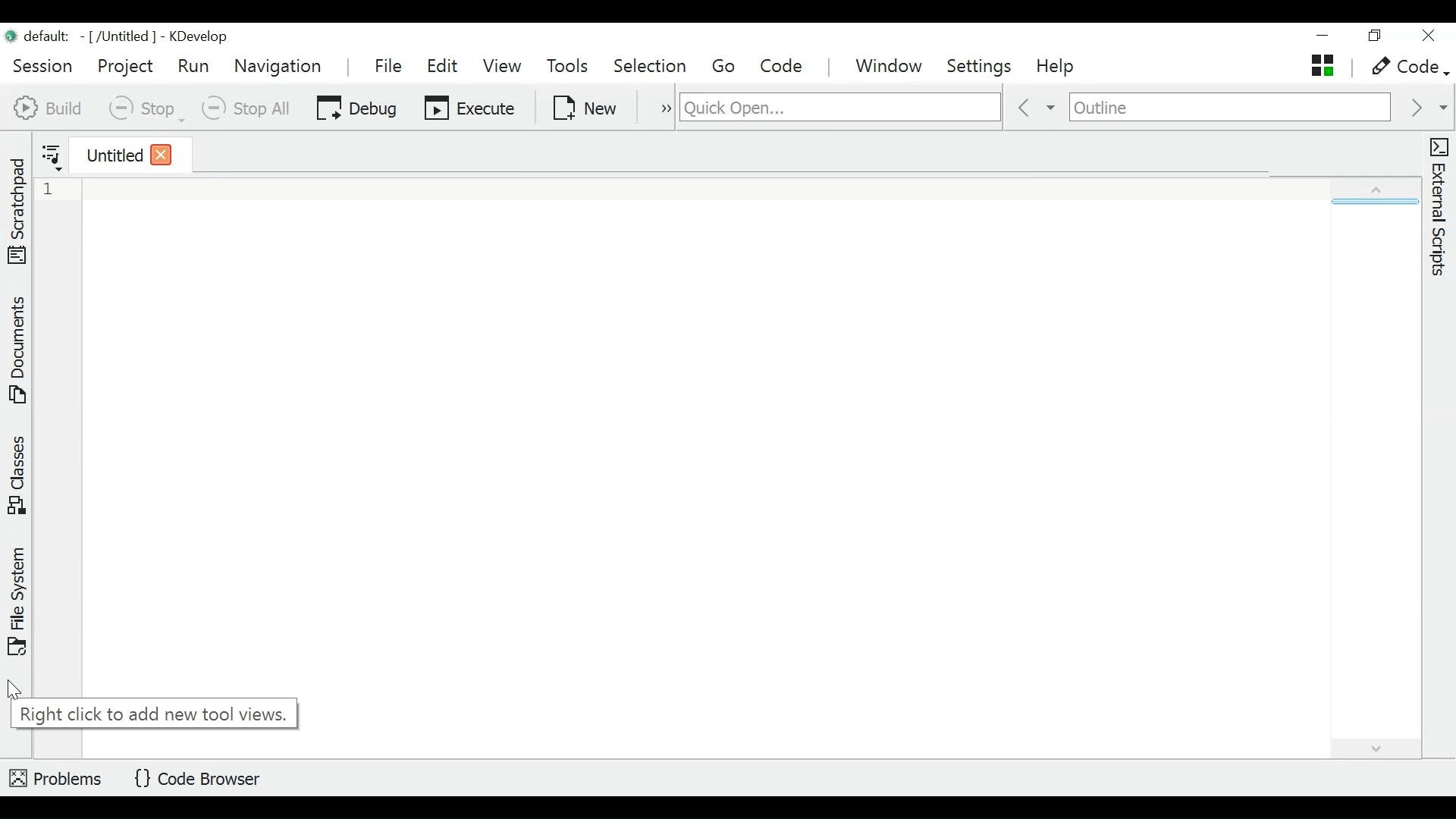  I want to click on search for files, classes, functions and more, so click(838, 107).